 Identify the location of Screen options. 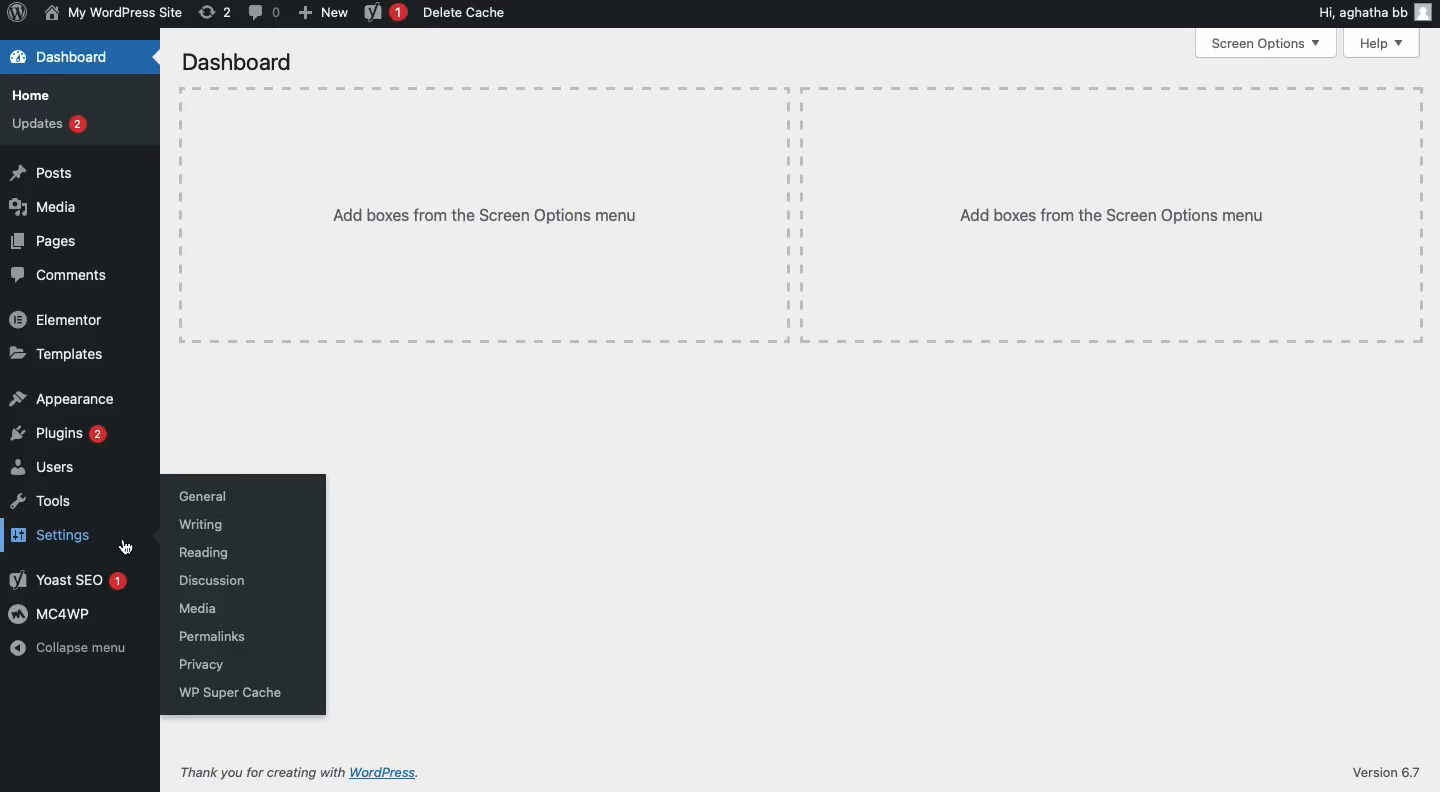
(1262, 41).